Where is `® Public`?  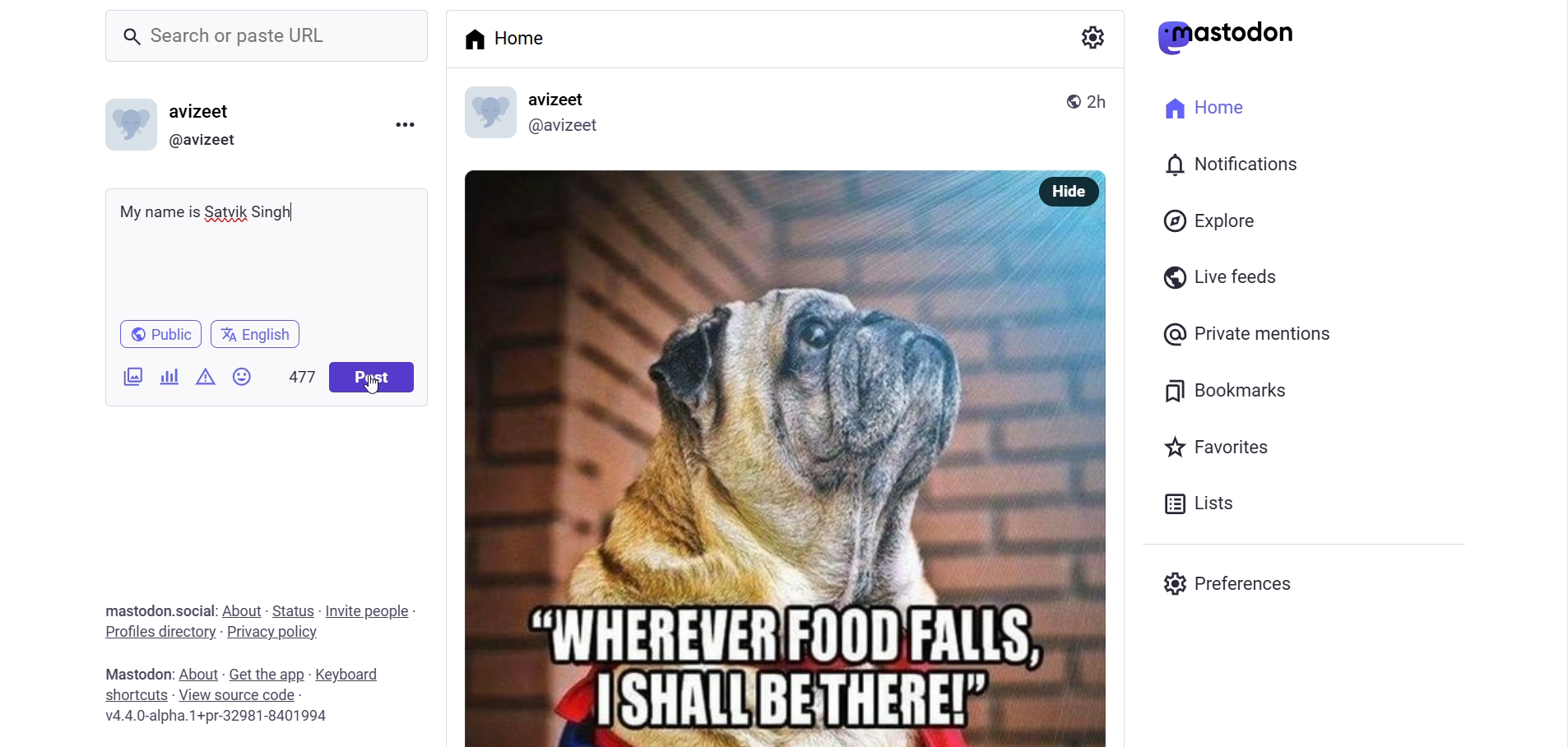
® Public is located at coordinates (163, 332).